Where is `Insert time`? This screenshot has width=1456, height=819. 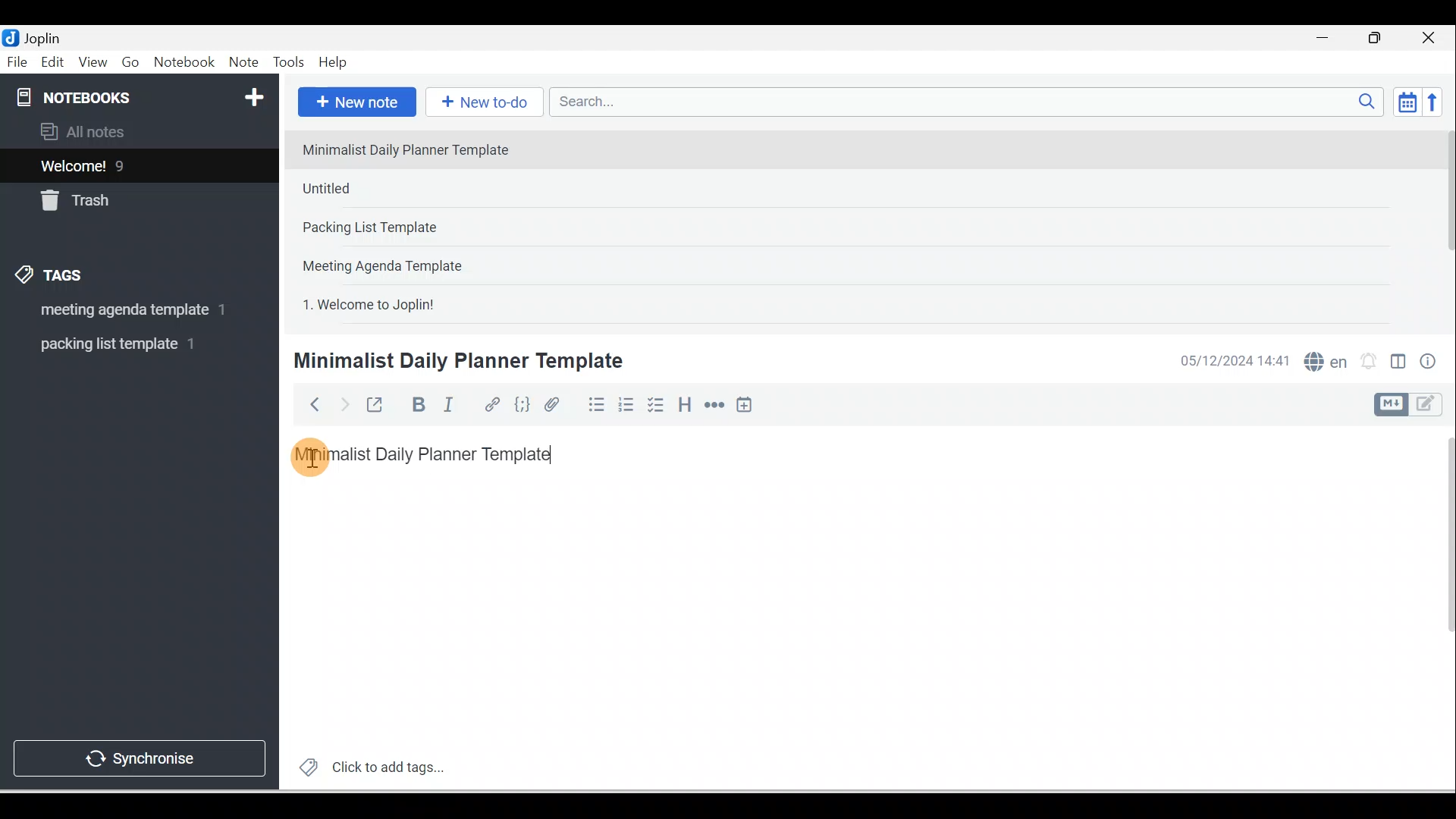 Insert time is located at coordinates (744, 406).